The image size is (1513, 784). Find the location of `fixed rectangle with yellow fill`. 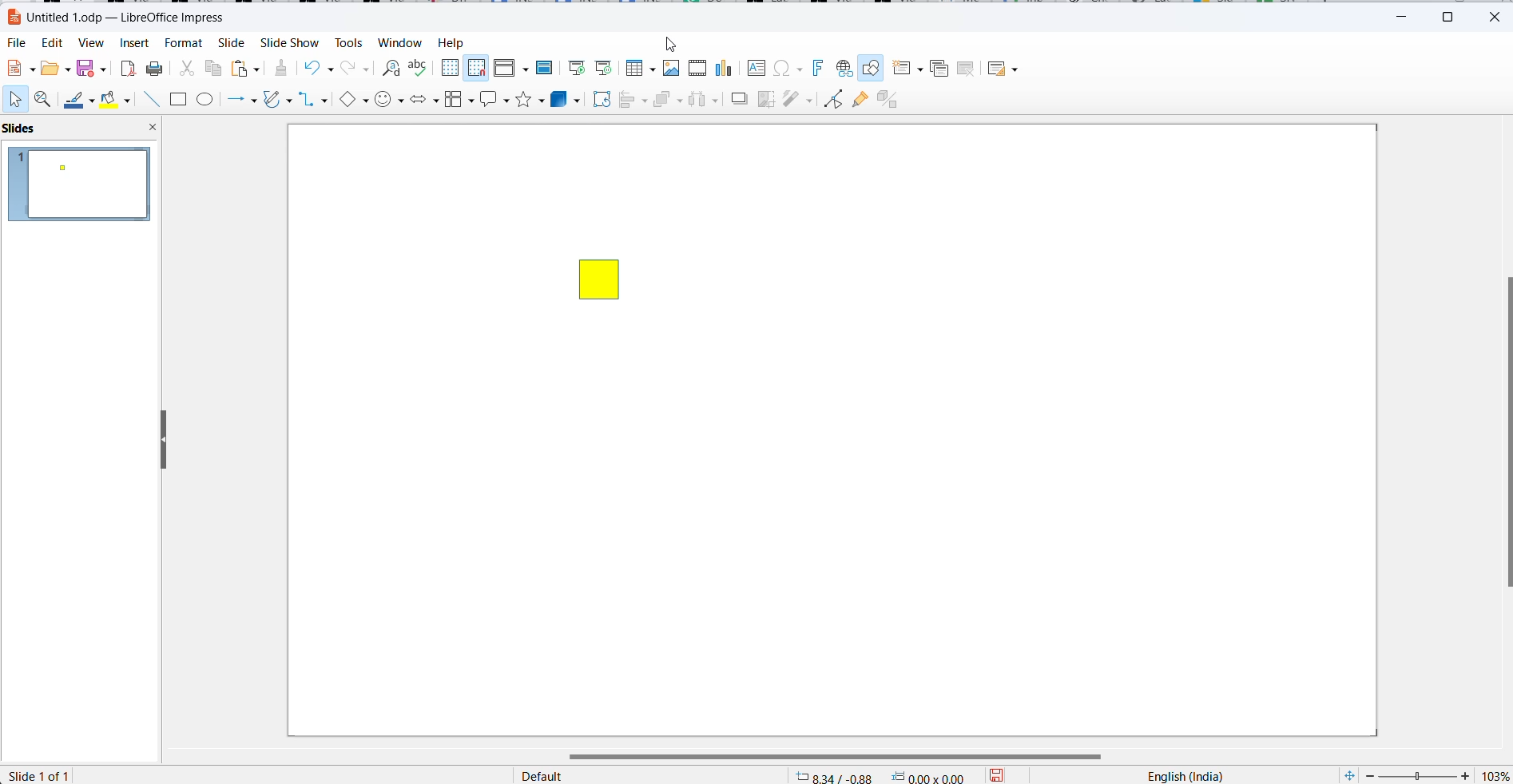

fixed rectangle with yellow fill is located at coordinates (598, 278).